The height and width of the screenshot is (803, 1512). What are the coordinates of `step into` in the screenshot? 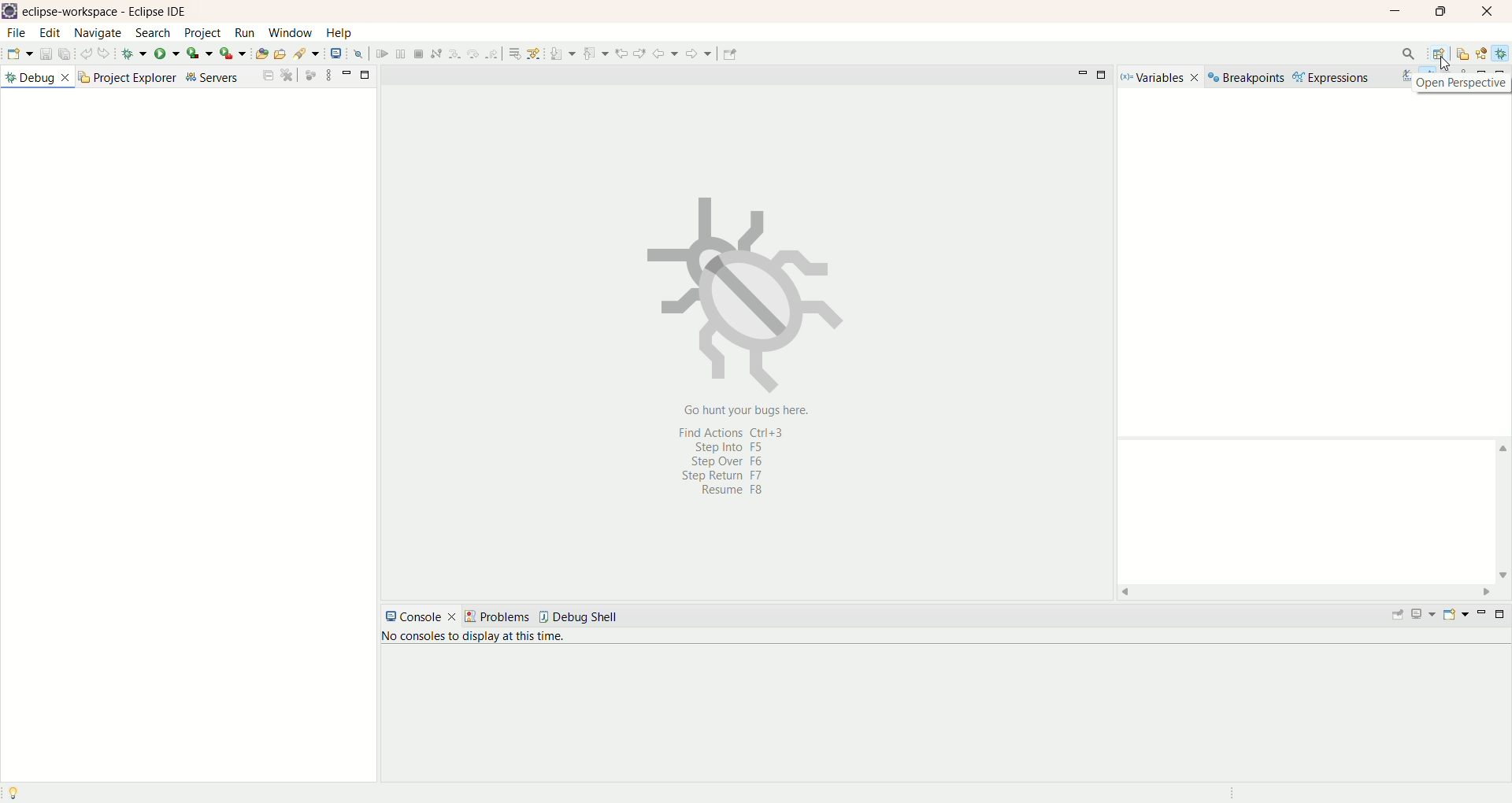 It's located at (568, 54).